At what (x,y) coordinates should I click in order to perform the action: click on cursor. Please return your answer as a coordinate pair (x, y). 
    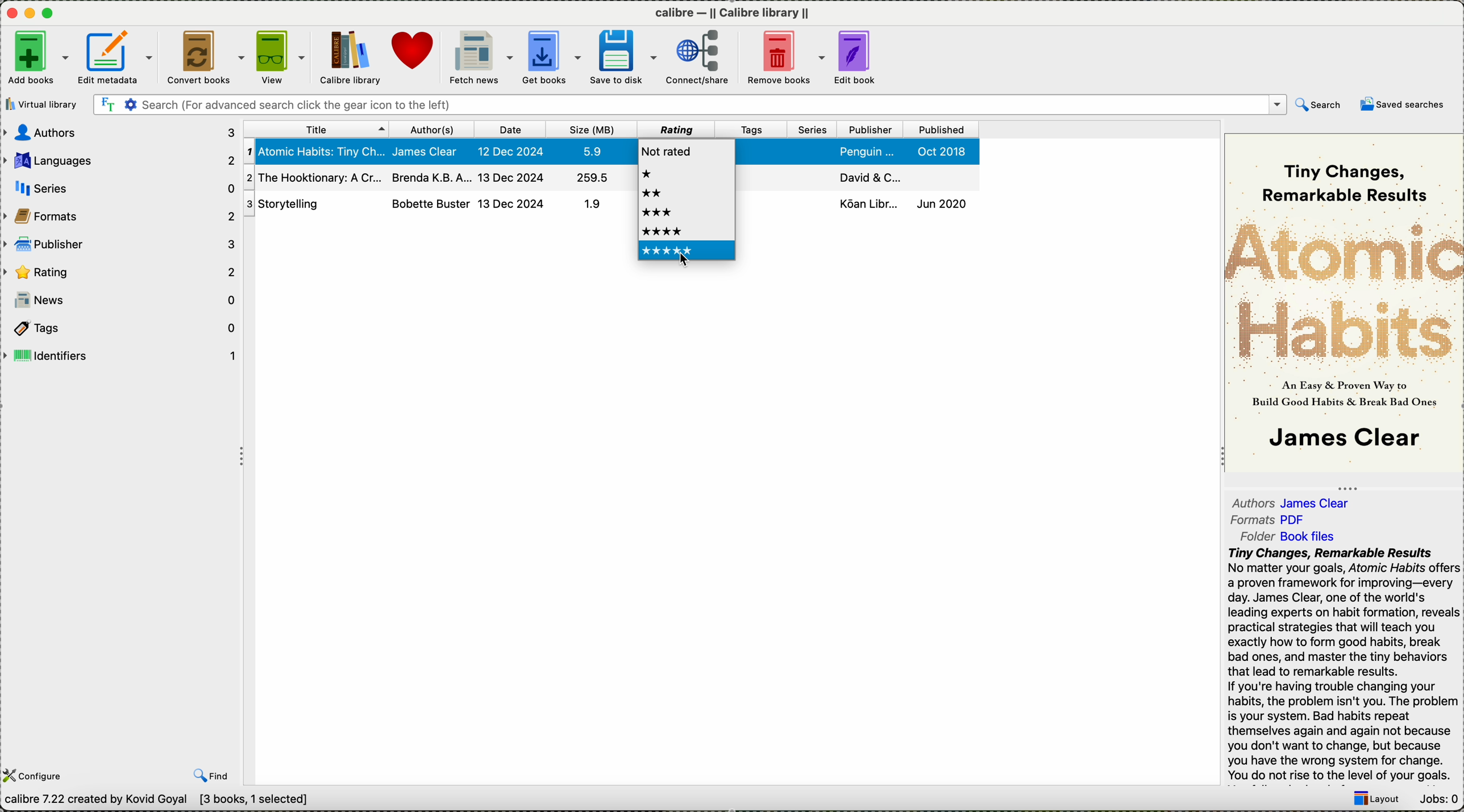
    Looking at the image, I should click on (684, 263).